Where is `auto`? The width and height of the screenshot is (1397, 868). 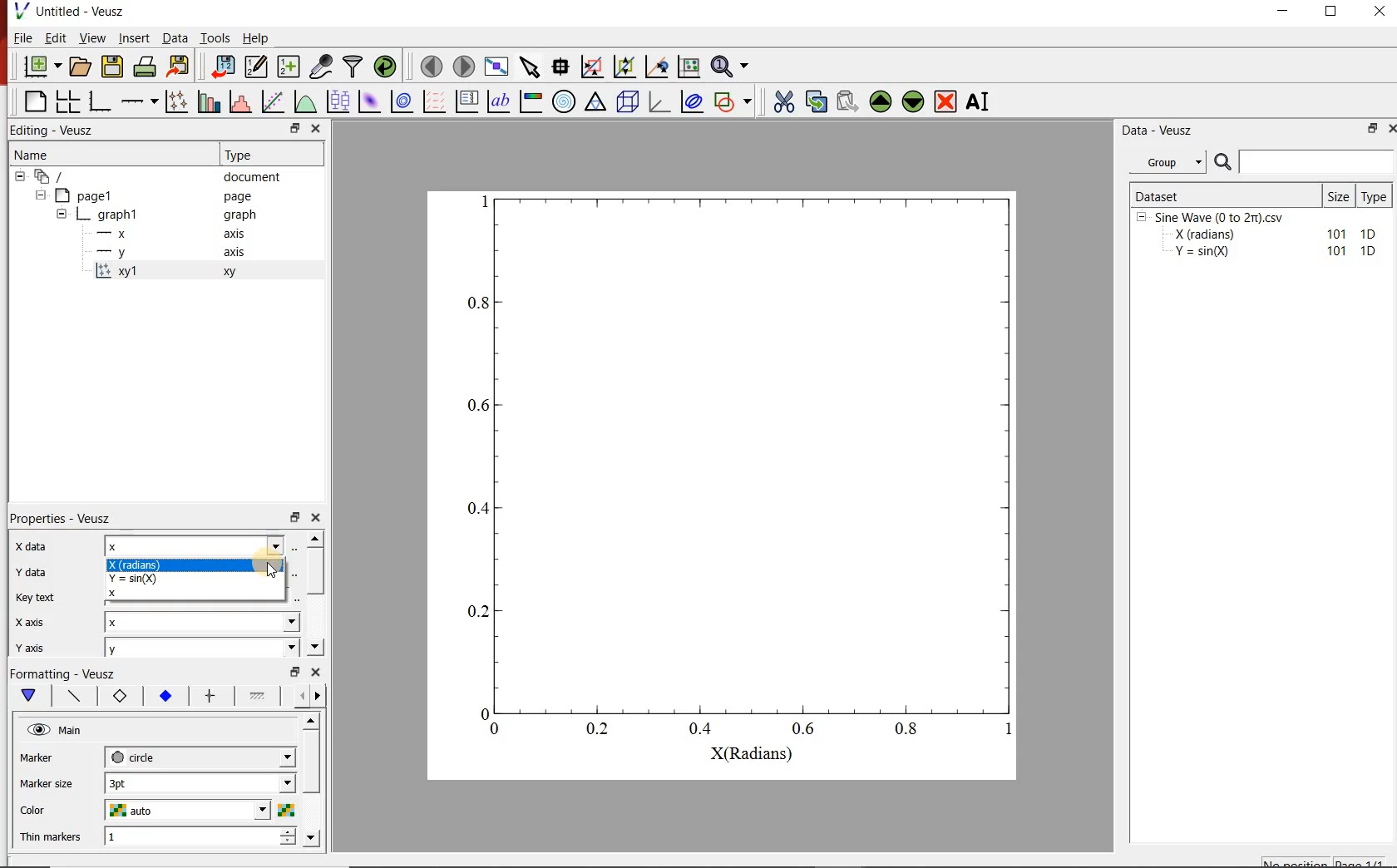 auto is located at coordinates (200, 811).